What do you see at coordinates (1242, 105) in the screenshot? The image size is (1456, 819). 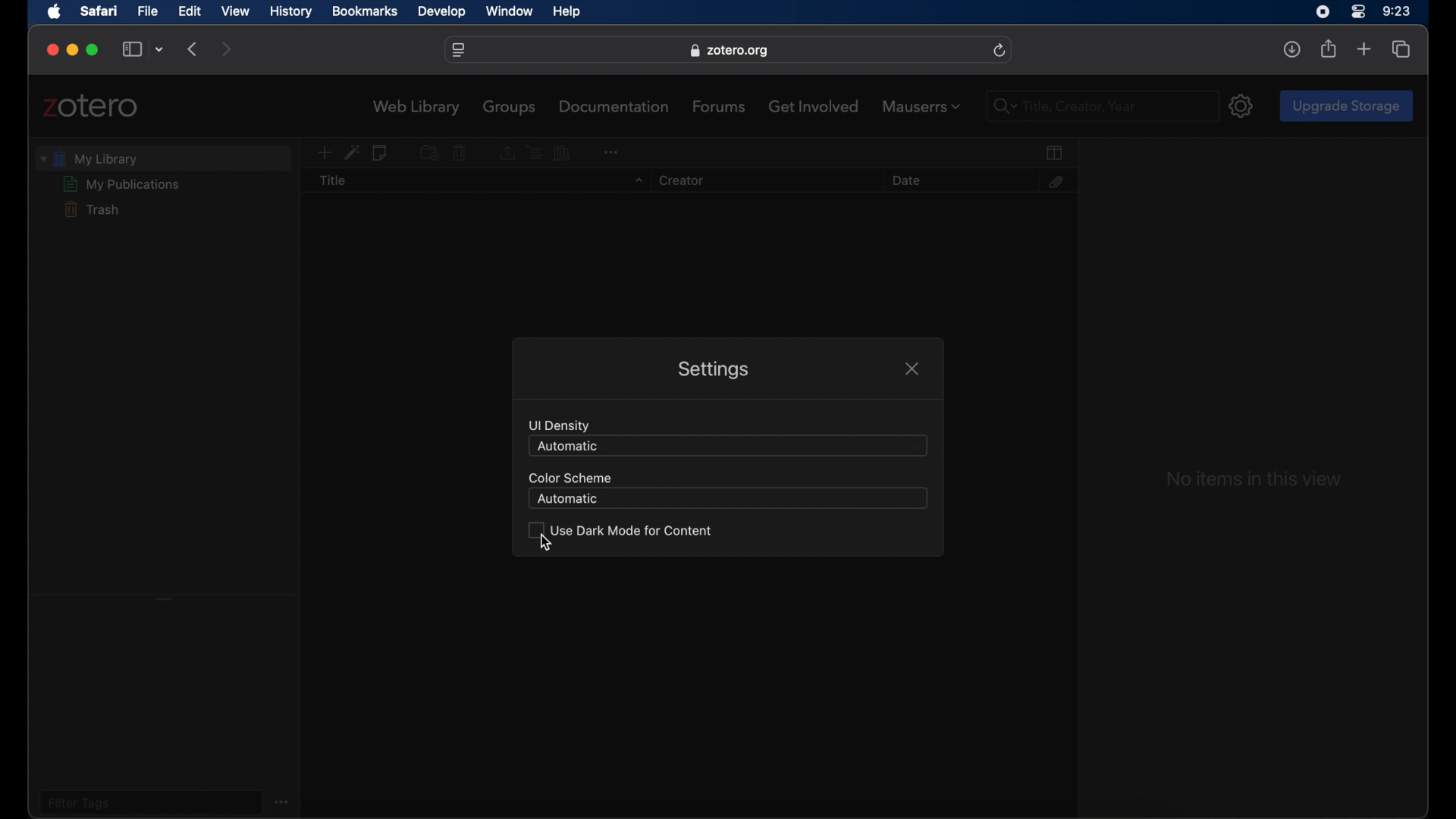 I see `settings` at bounding box center [1242, 105].